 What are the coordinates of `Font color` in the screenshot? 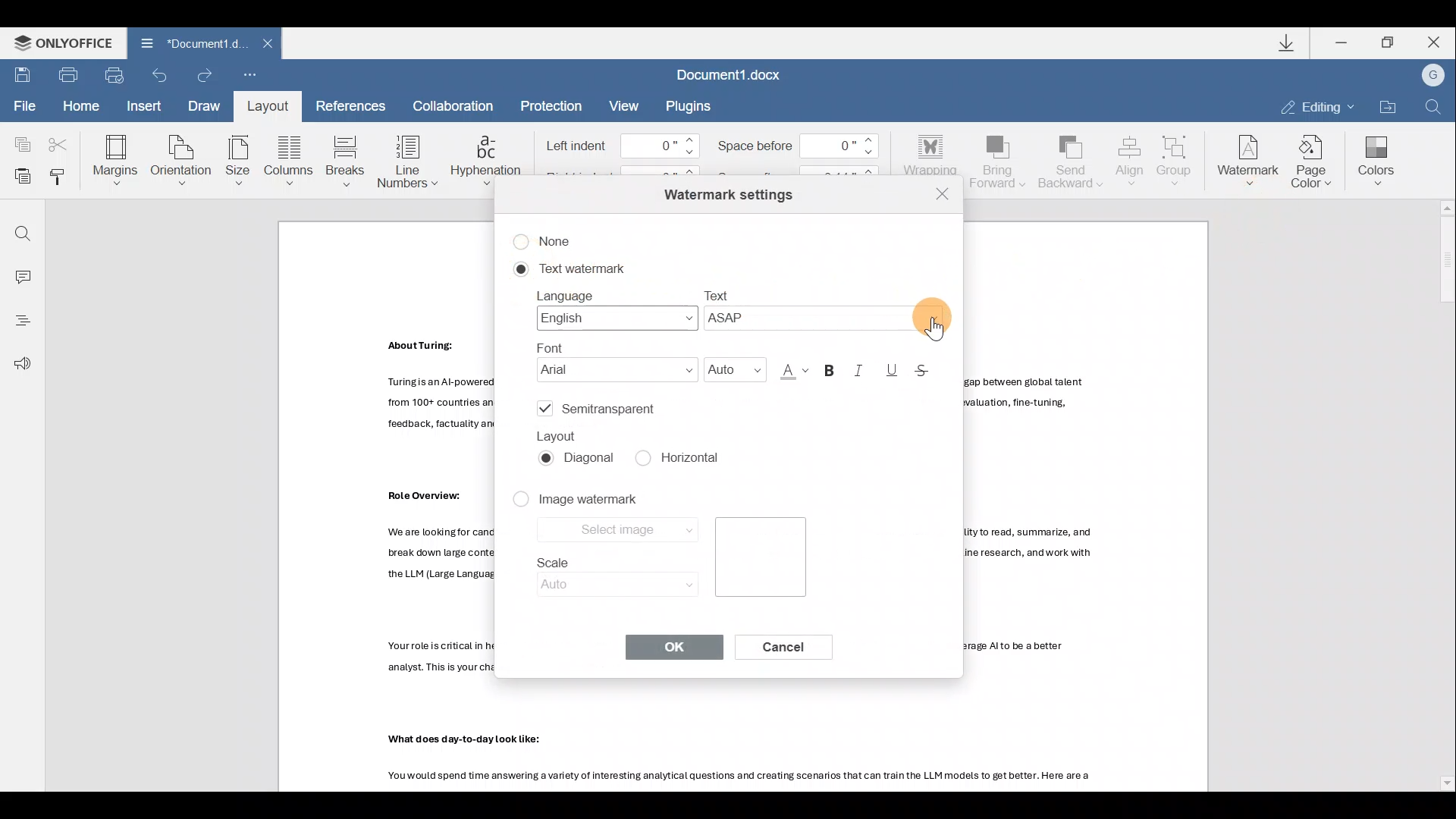 It's located at (790, 369).